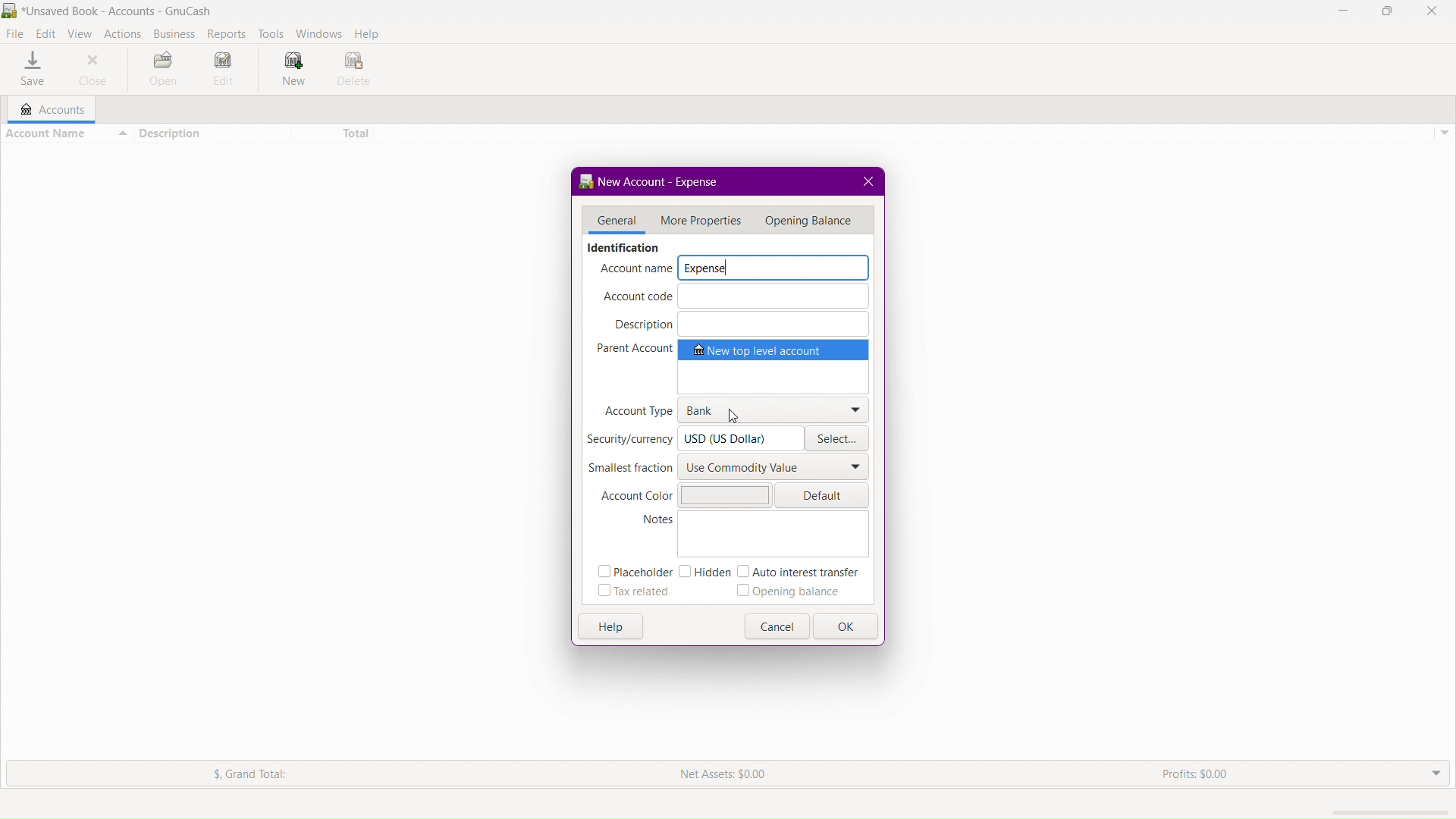 The image size is (1456, 819). I want to click on Net Assets: $0.00, so click(726, 774).